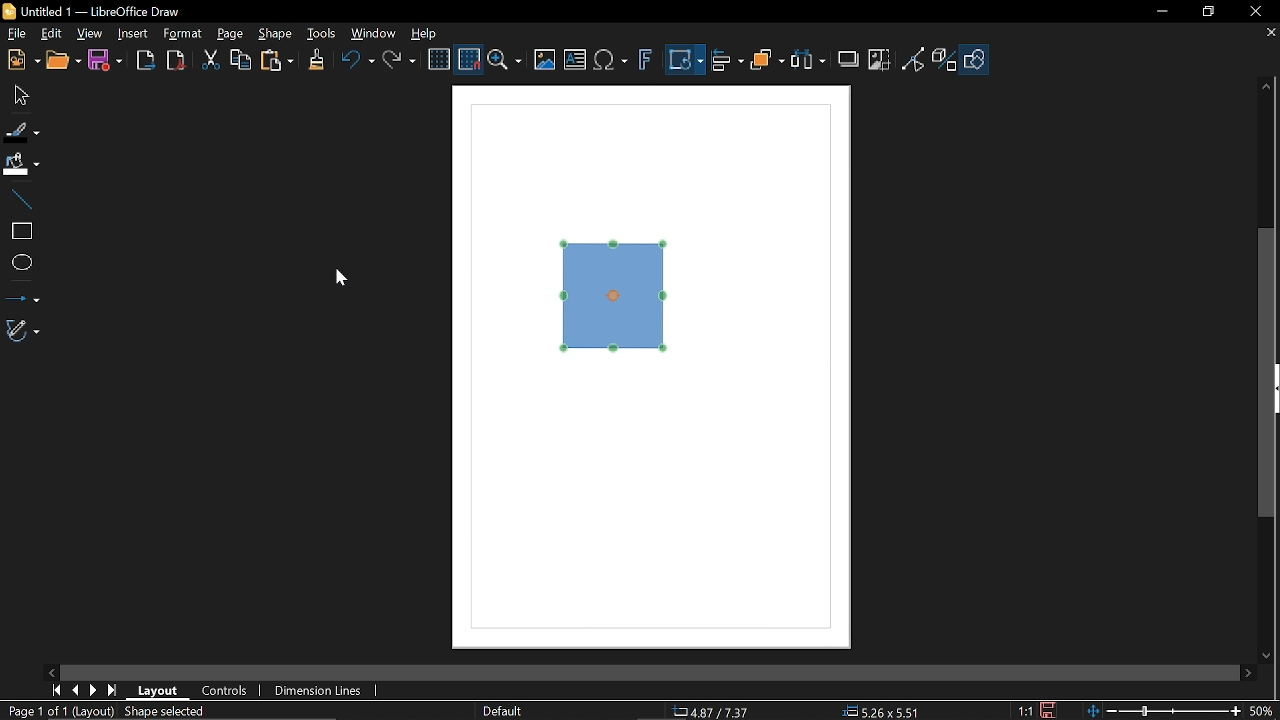 This screenshot has height=720, width=1280. I want to click on Tools, so click(321, 33).